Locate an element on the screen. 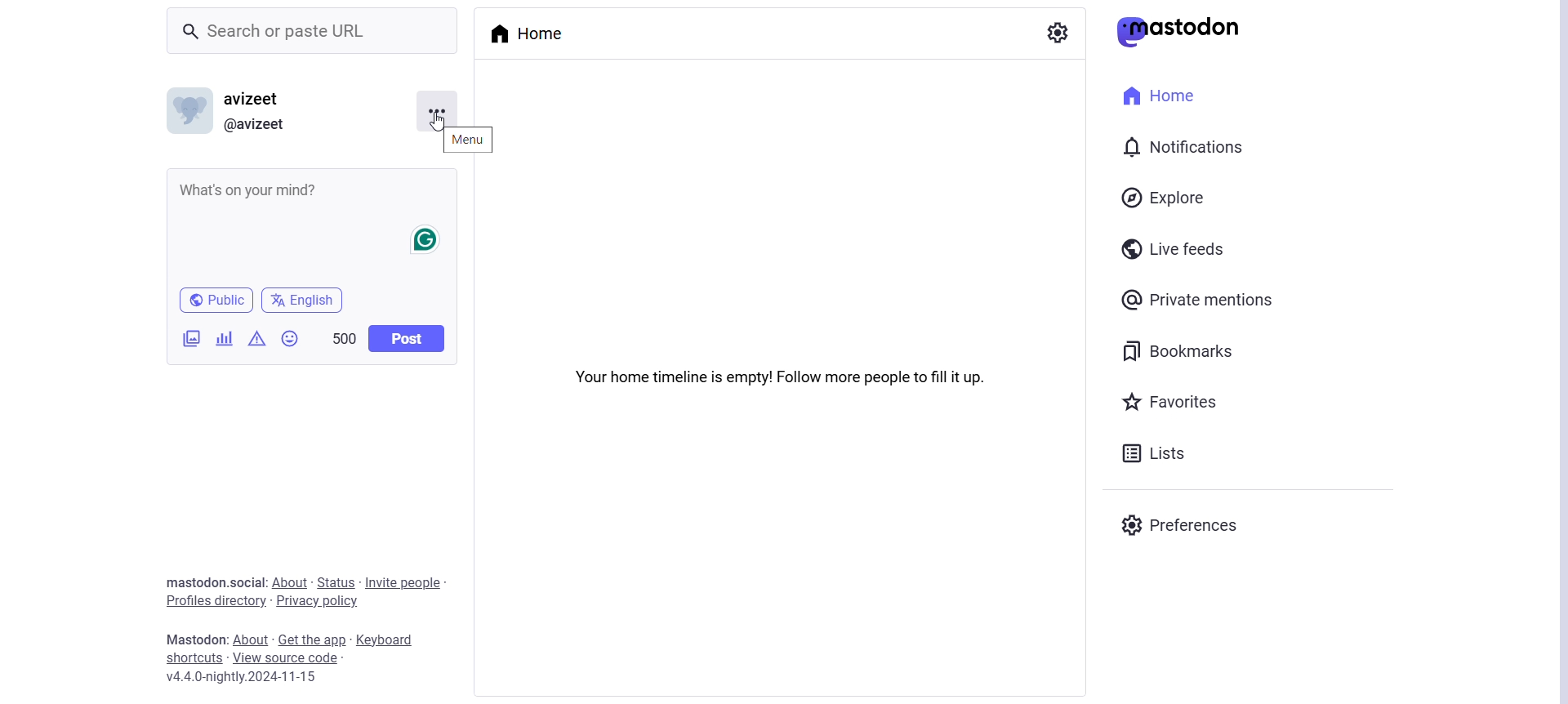 The width and height of the screenshot is (1568, 704). Status is located at coordinates (336, 584).